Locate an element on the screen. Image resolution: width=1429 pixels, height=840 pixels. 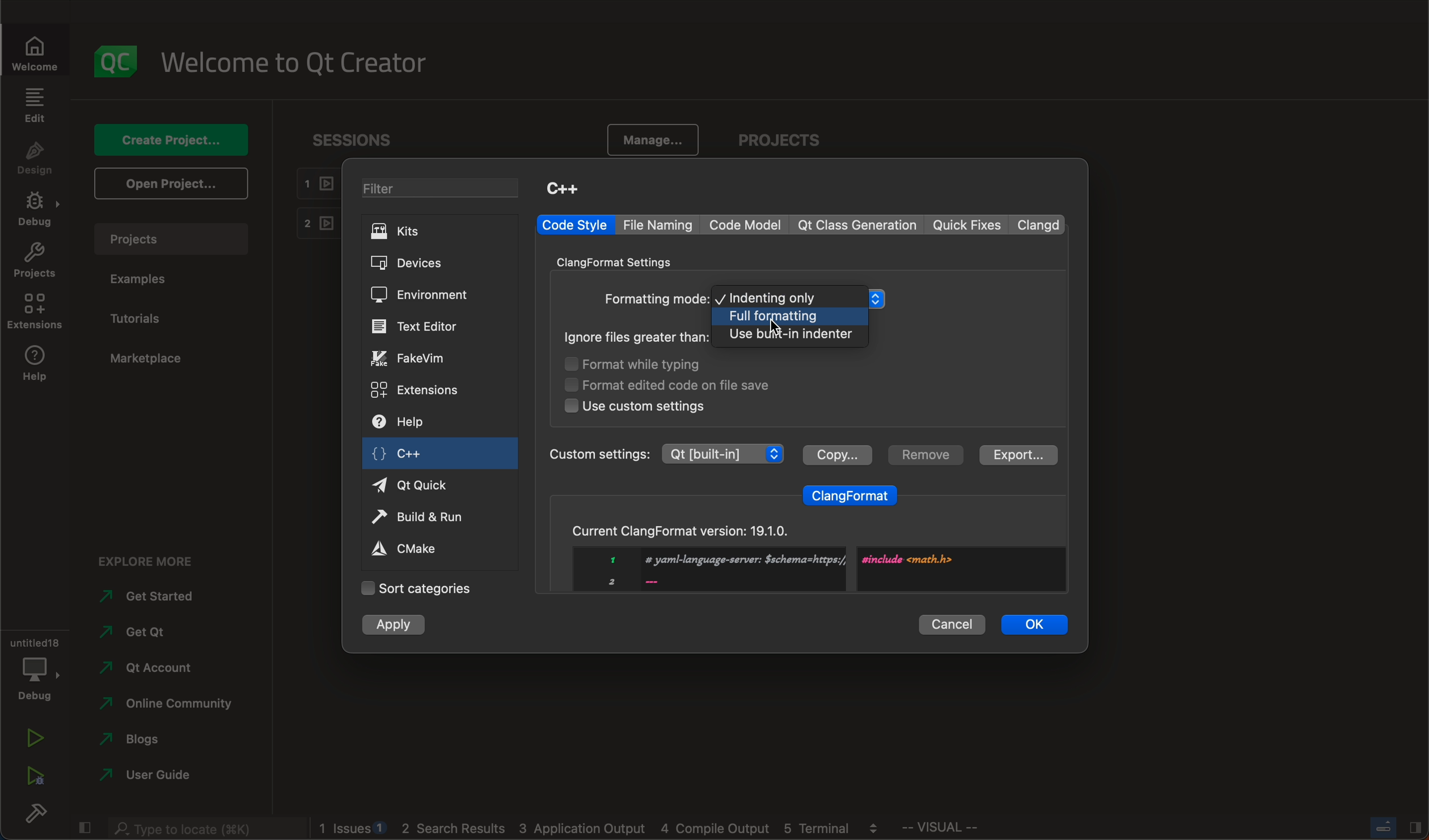
help is located at coordinates (34, 366).